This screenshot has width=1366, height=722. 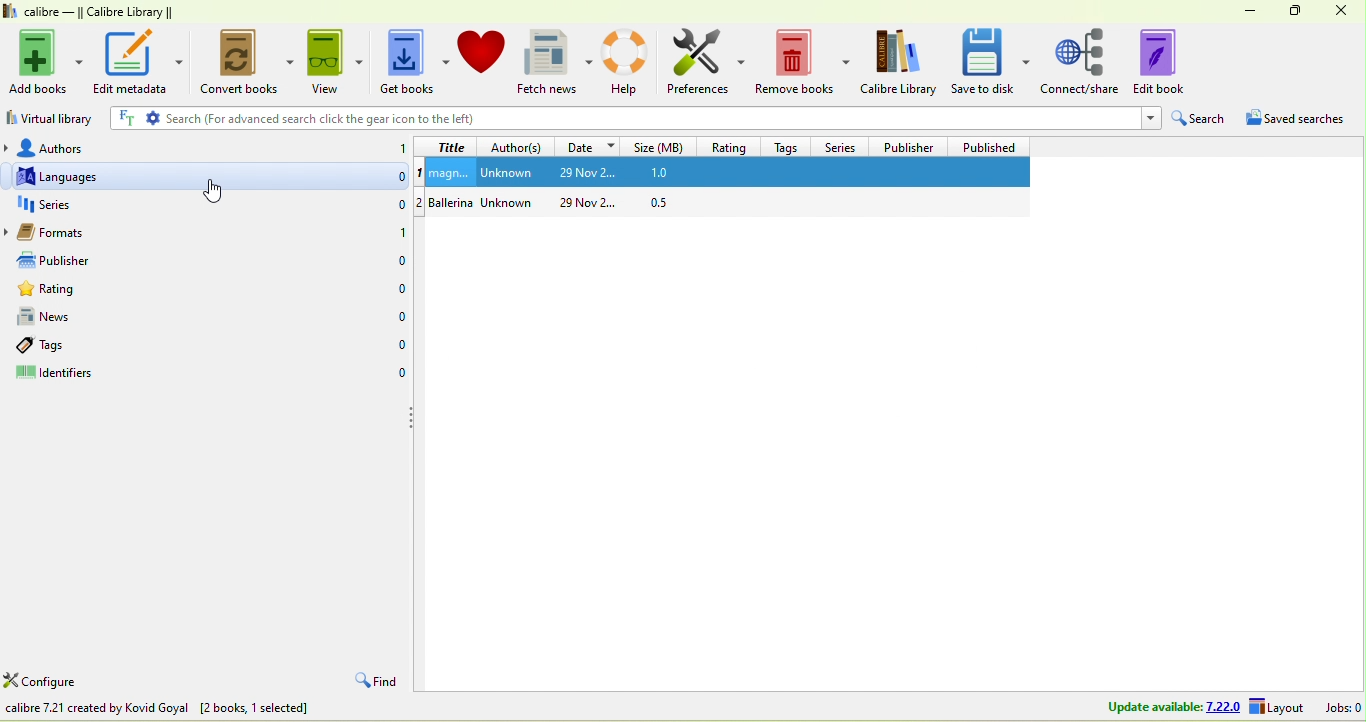 I want to click on search (for advanced search click the gear icon to the left), so click(x=620, y=118).